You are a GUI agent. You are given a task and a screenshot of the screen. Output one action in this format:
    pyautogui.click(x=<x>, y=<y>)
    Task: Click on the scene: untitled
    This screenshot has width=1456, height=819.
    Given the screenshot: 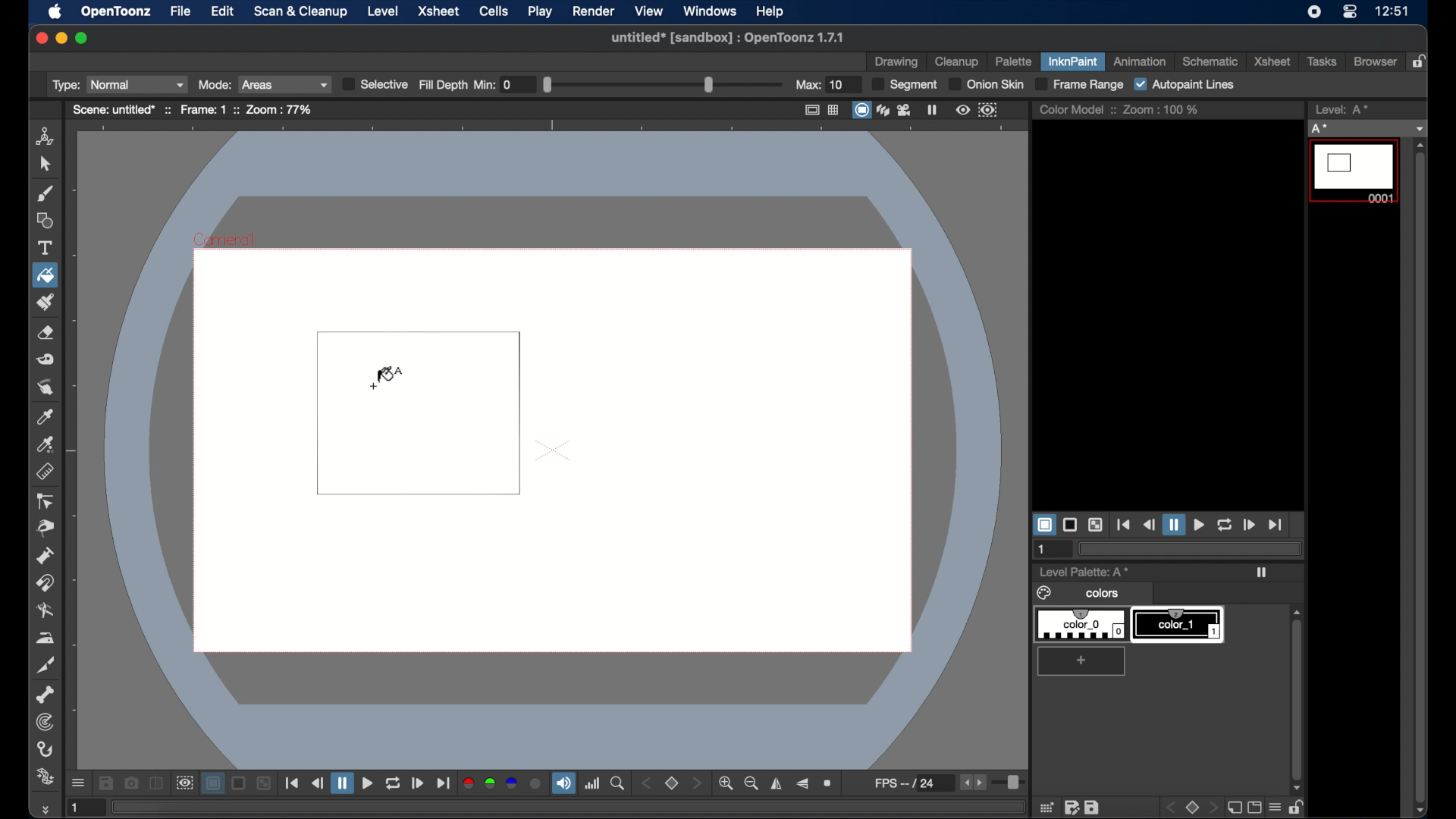 What is the action you would take?
    pyautogui.click(x=119, y=109)
    